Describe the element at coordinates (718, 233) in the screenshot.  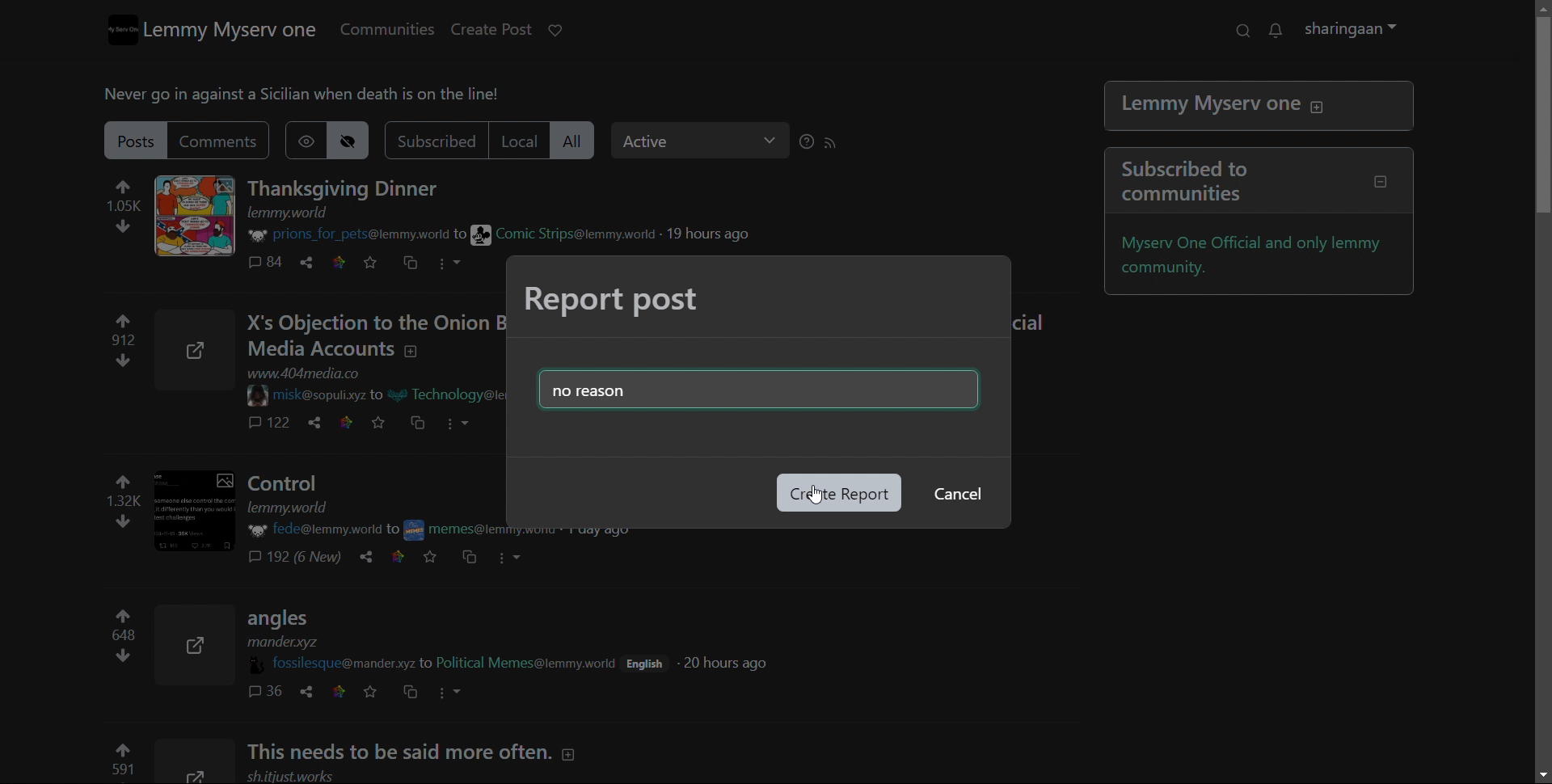
I see `19 hours ago(time of posting)` at that location.